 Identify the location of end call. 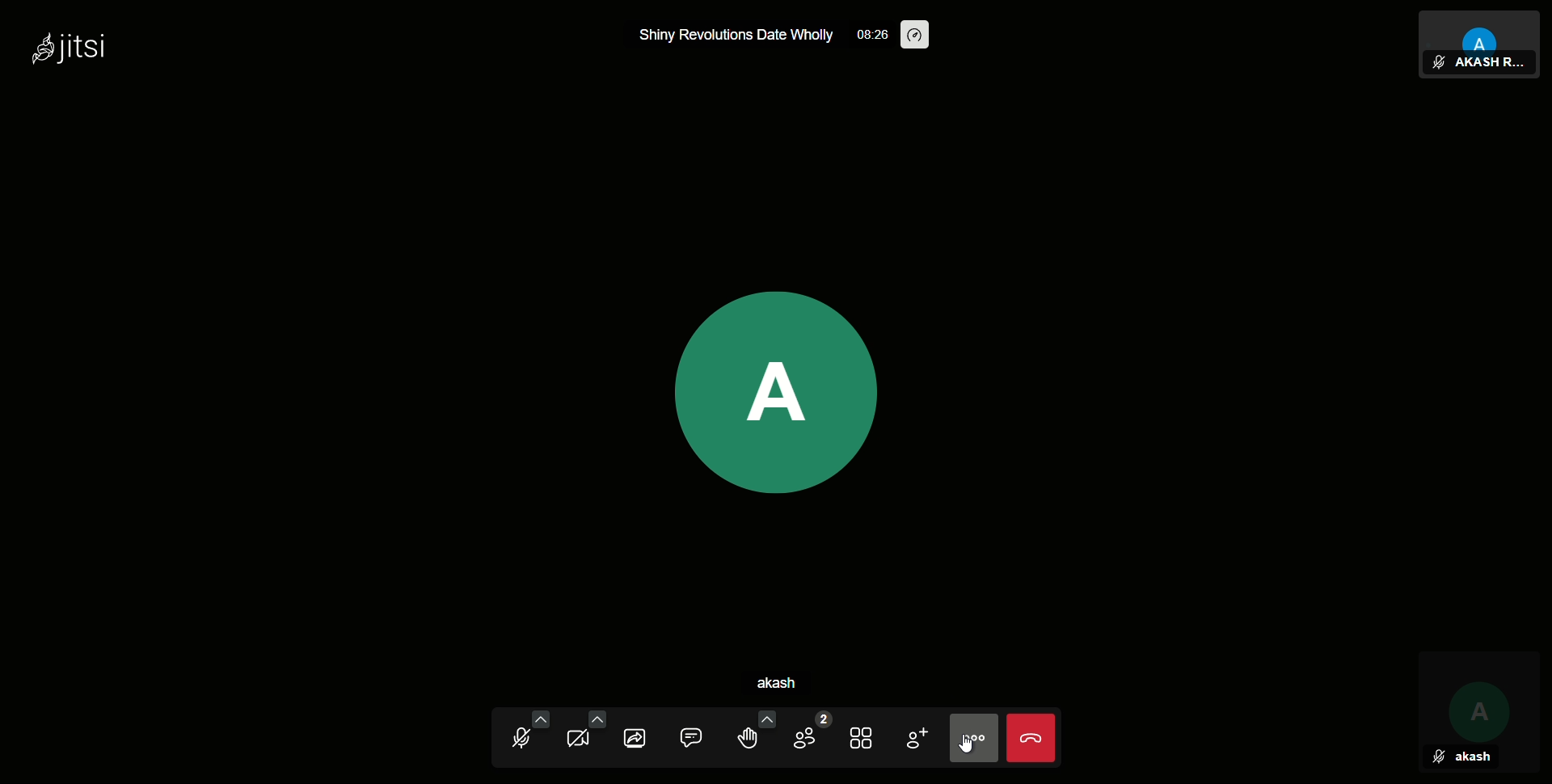
(1030, 737).